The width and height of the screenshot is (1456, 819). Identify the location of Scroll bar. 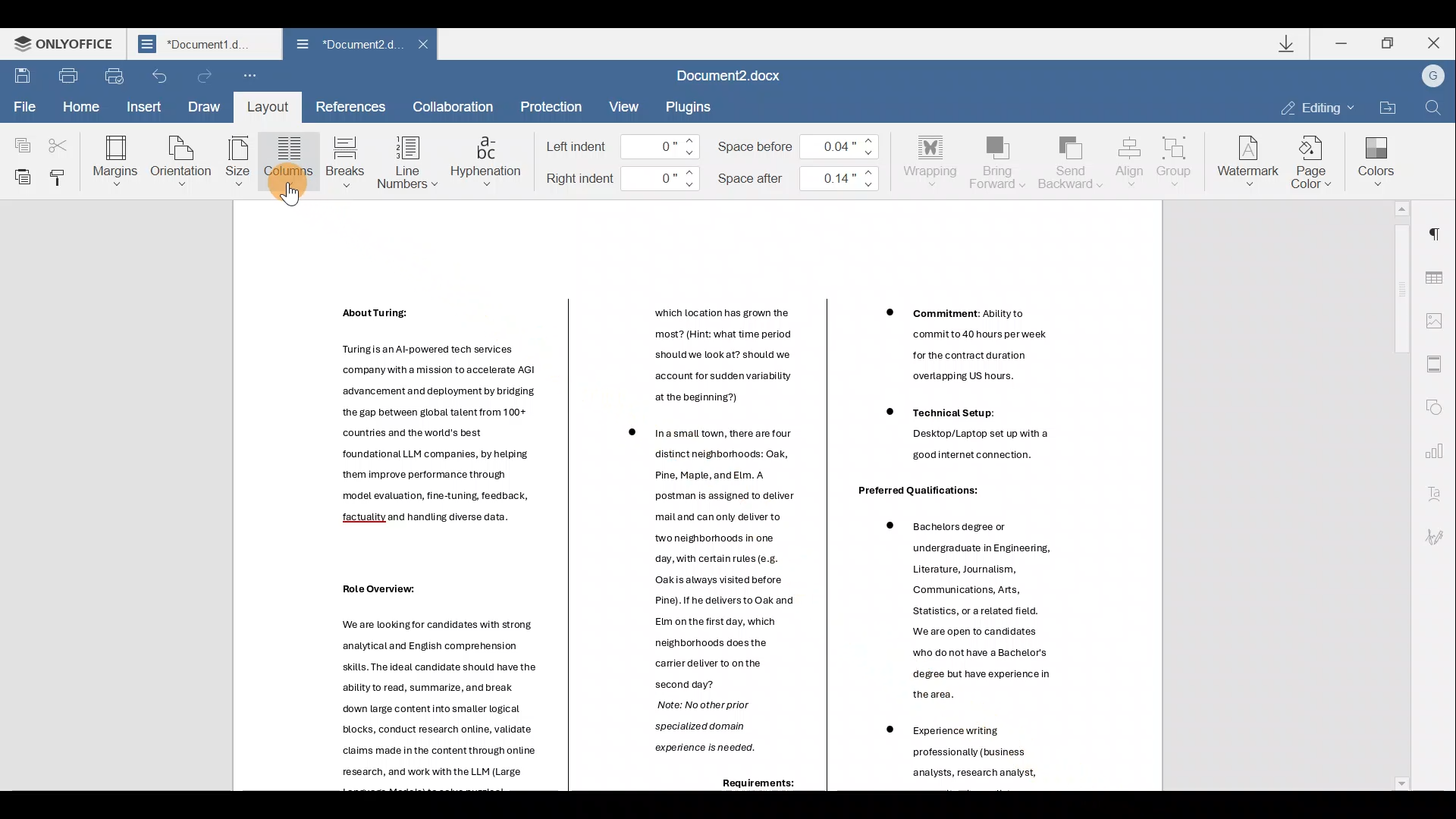
(1396, 495).